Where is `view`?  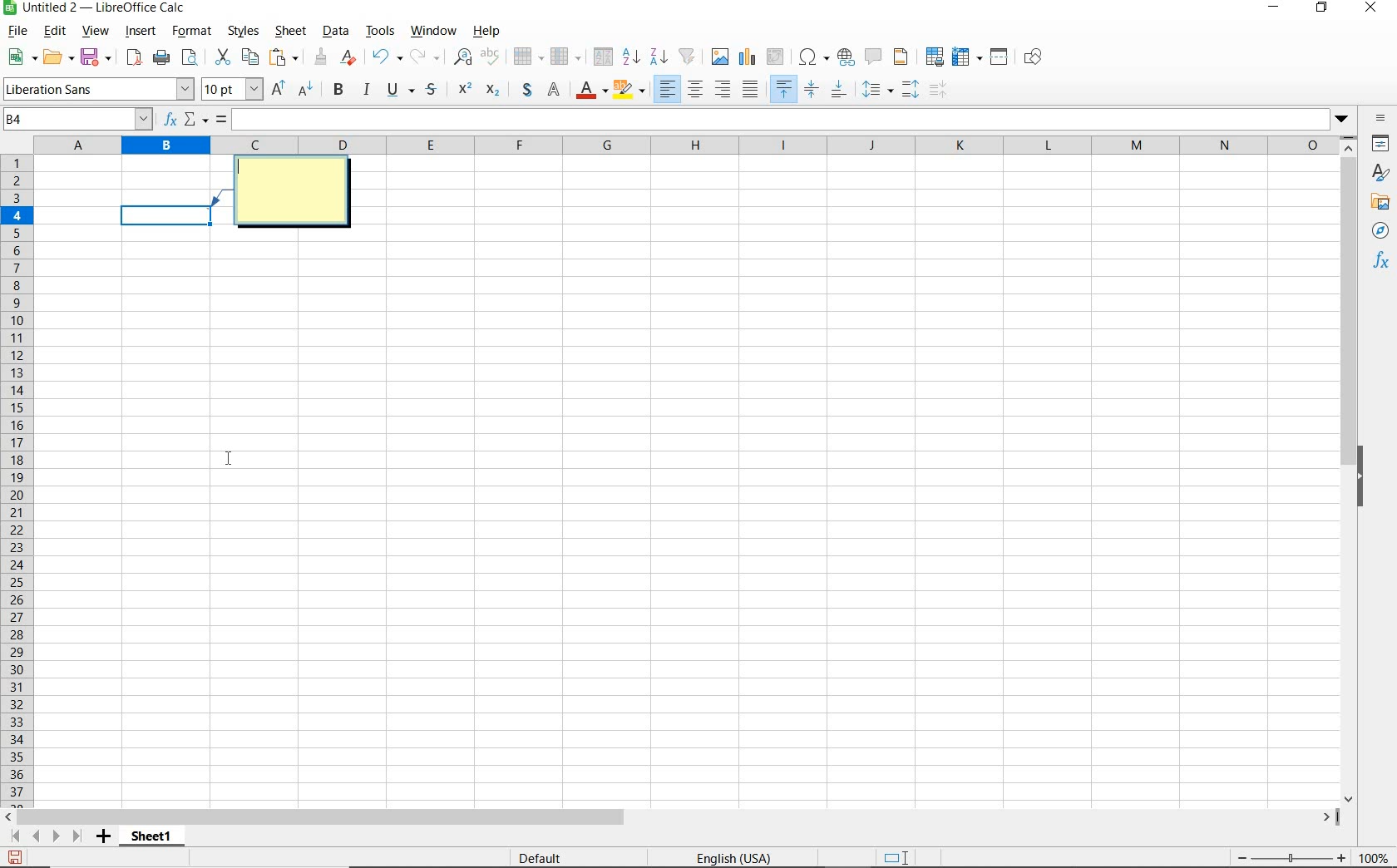 view is located at coordinates (96, 33).